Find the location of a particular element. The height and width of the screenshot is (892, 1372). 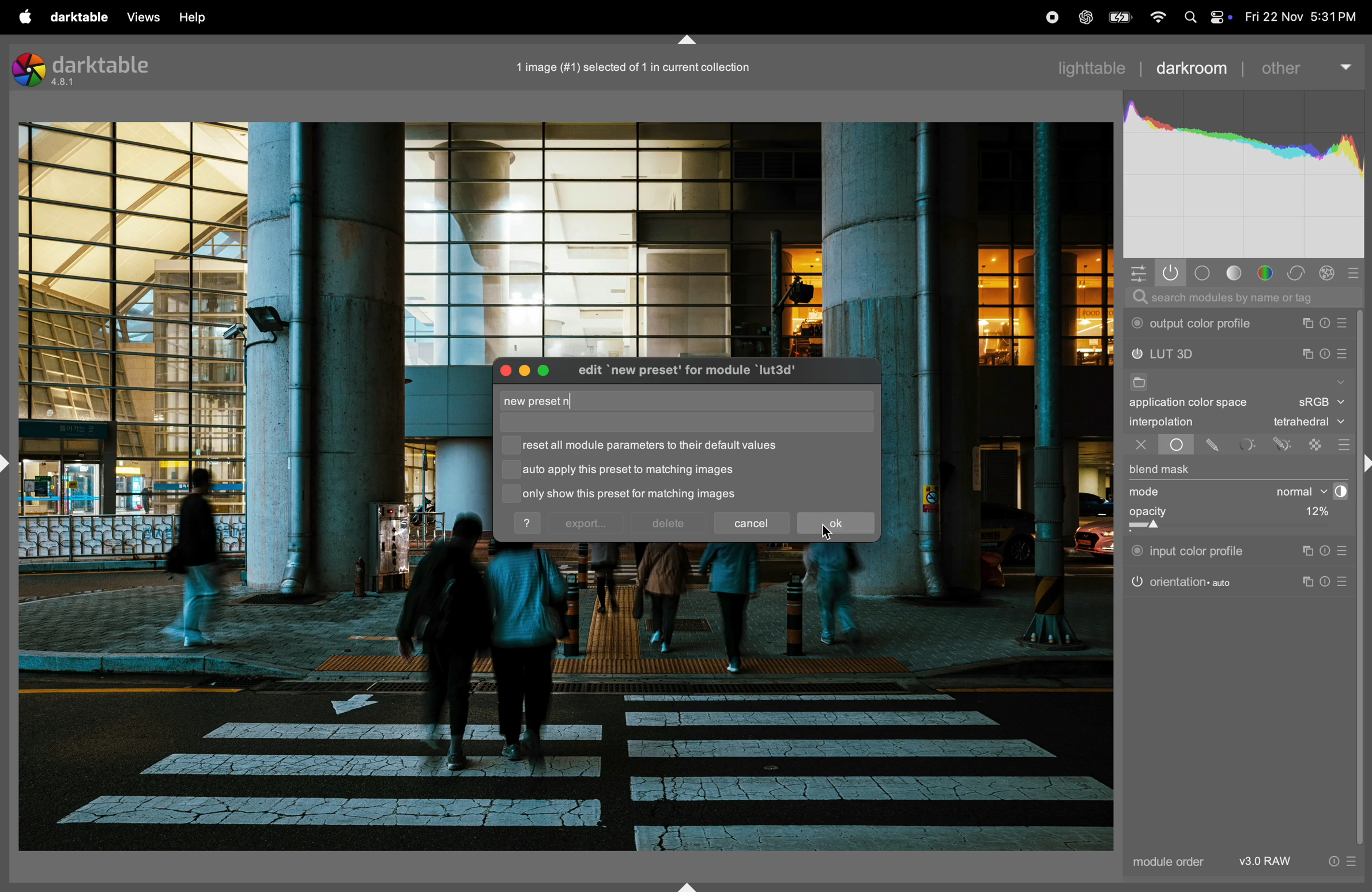

checkbox is located at coordinates (511, 472).